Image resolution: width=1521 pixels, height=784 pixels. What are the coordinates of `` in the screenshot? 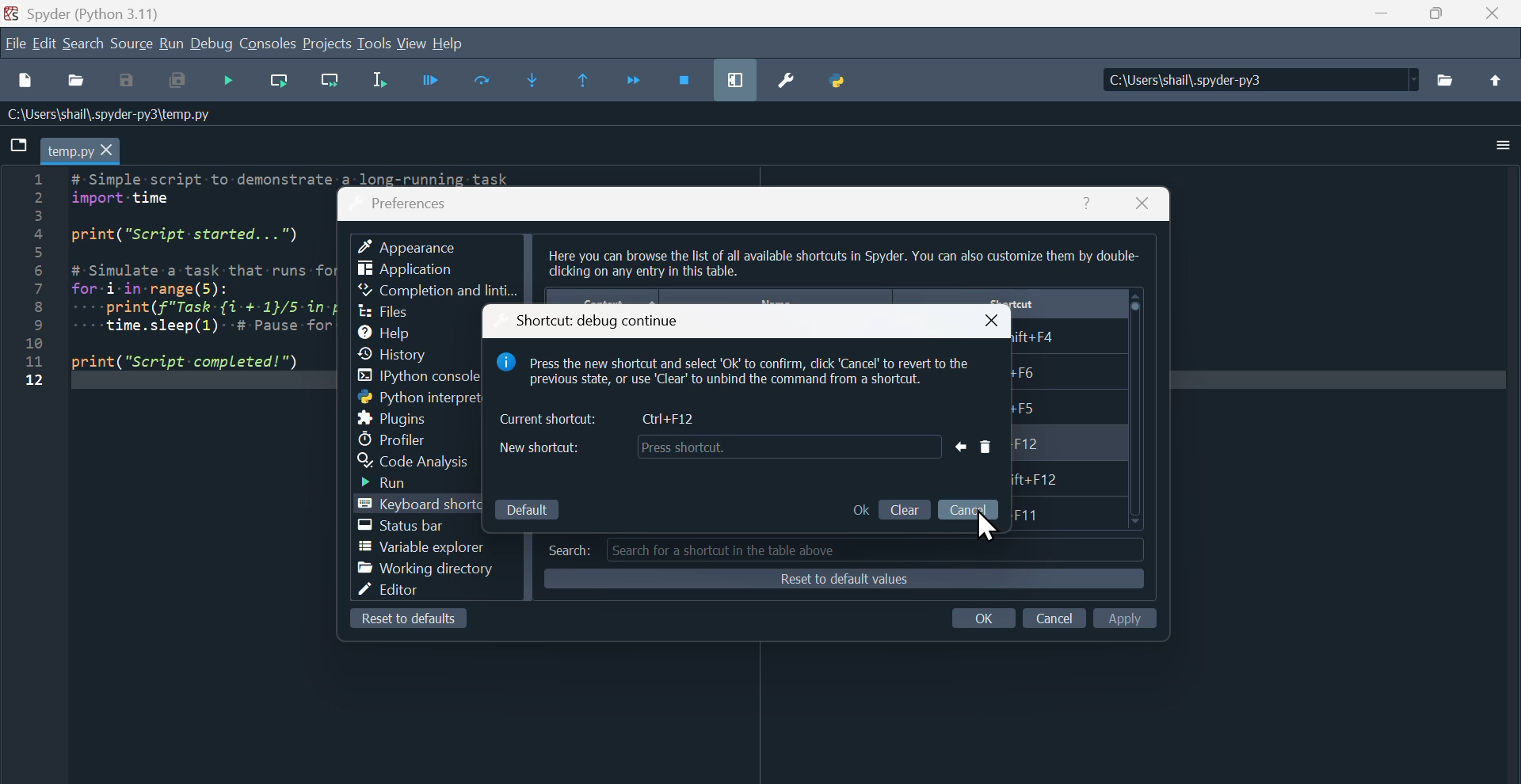 It's located at (991, 618).